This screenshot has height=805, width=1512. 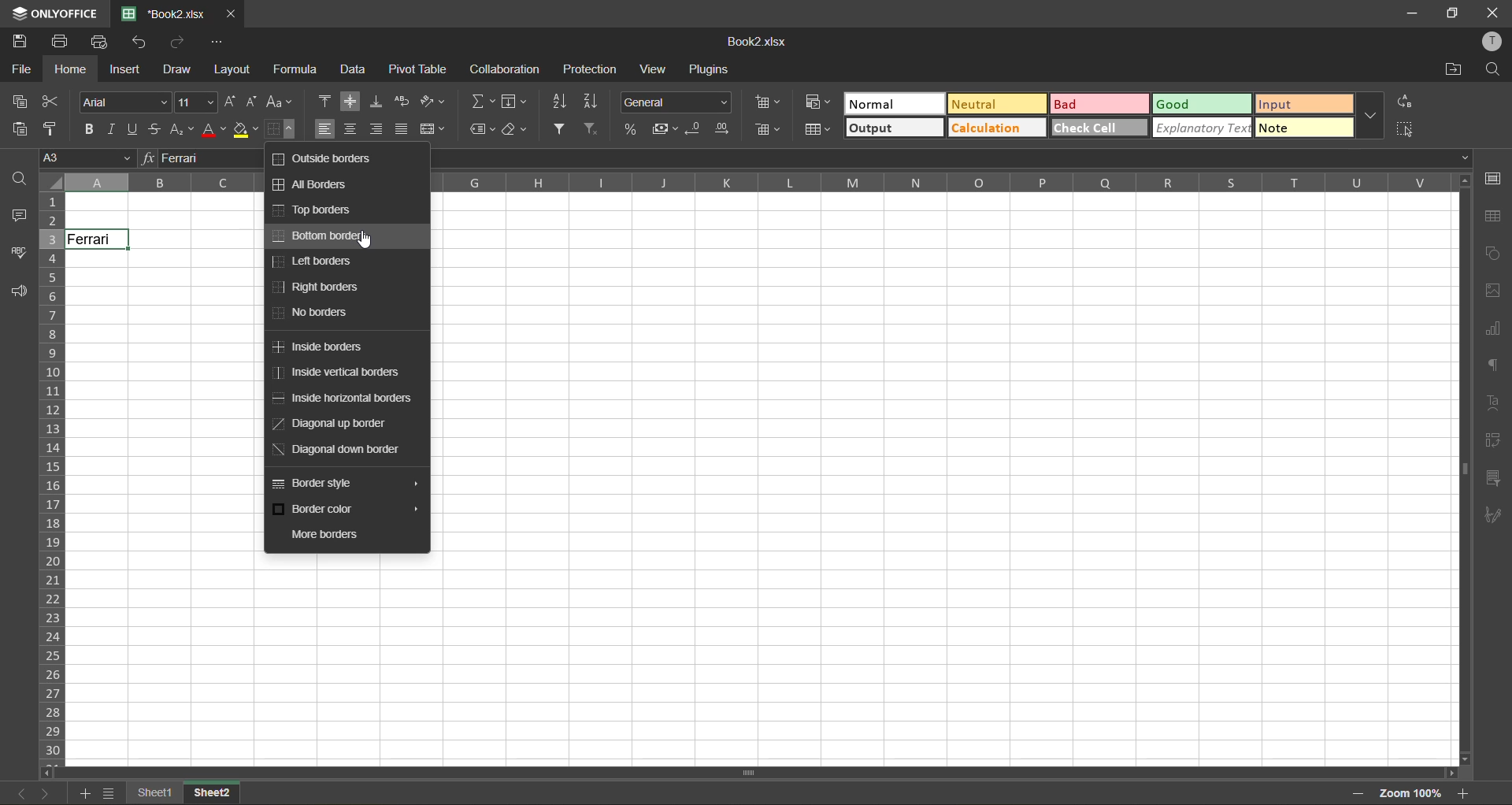 I want to click on no borders, so click(x=314, y=313).